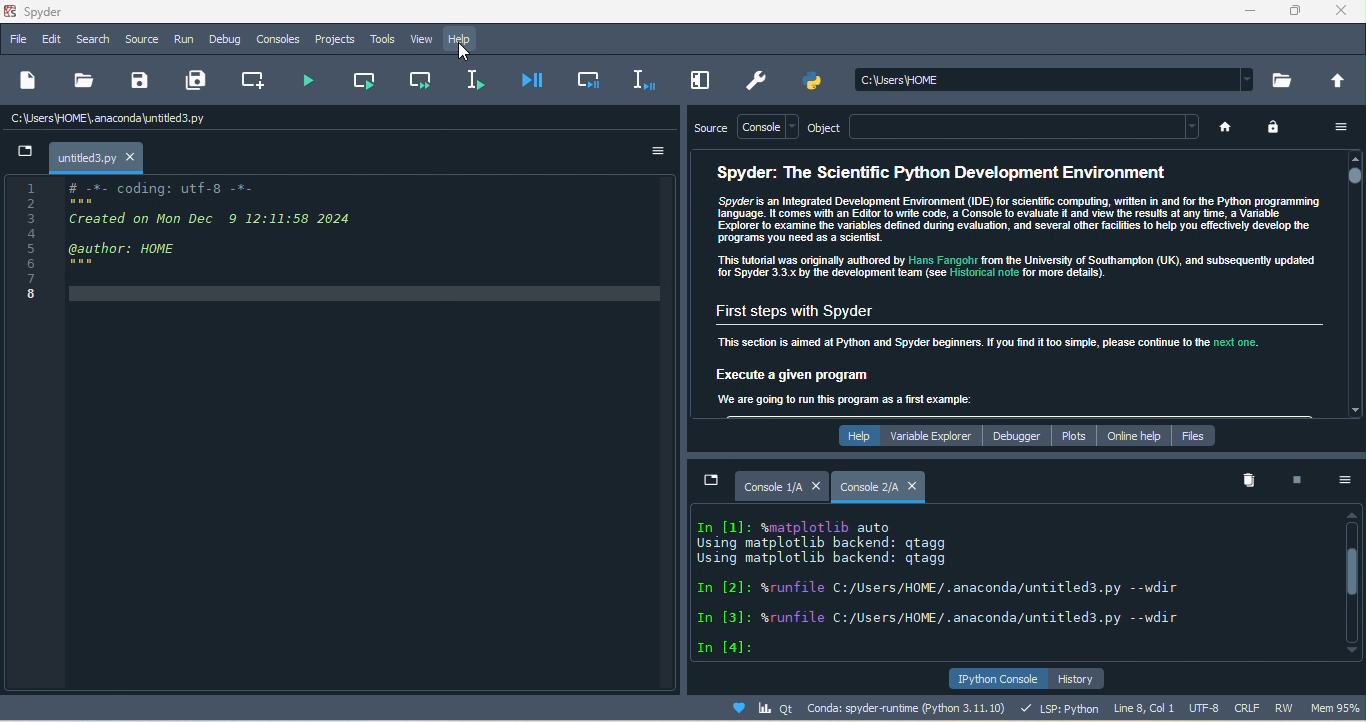 The width and height of the screenshot is (1366, 722). Describe the element at coordinates (533, 80) in the screenshot. I see `debug file` at that location.